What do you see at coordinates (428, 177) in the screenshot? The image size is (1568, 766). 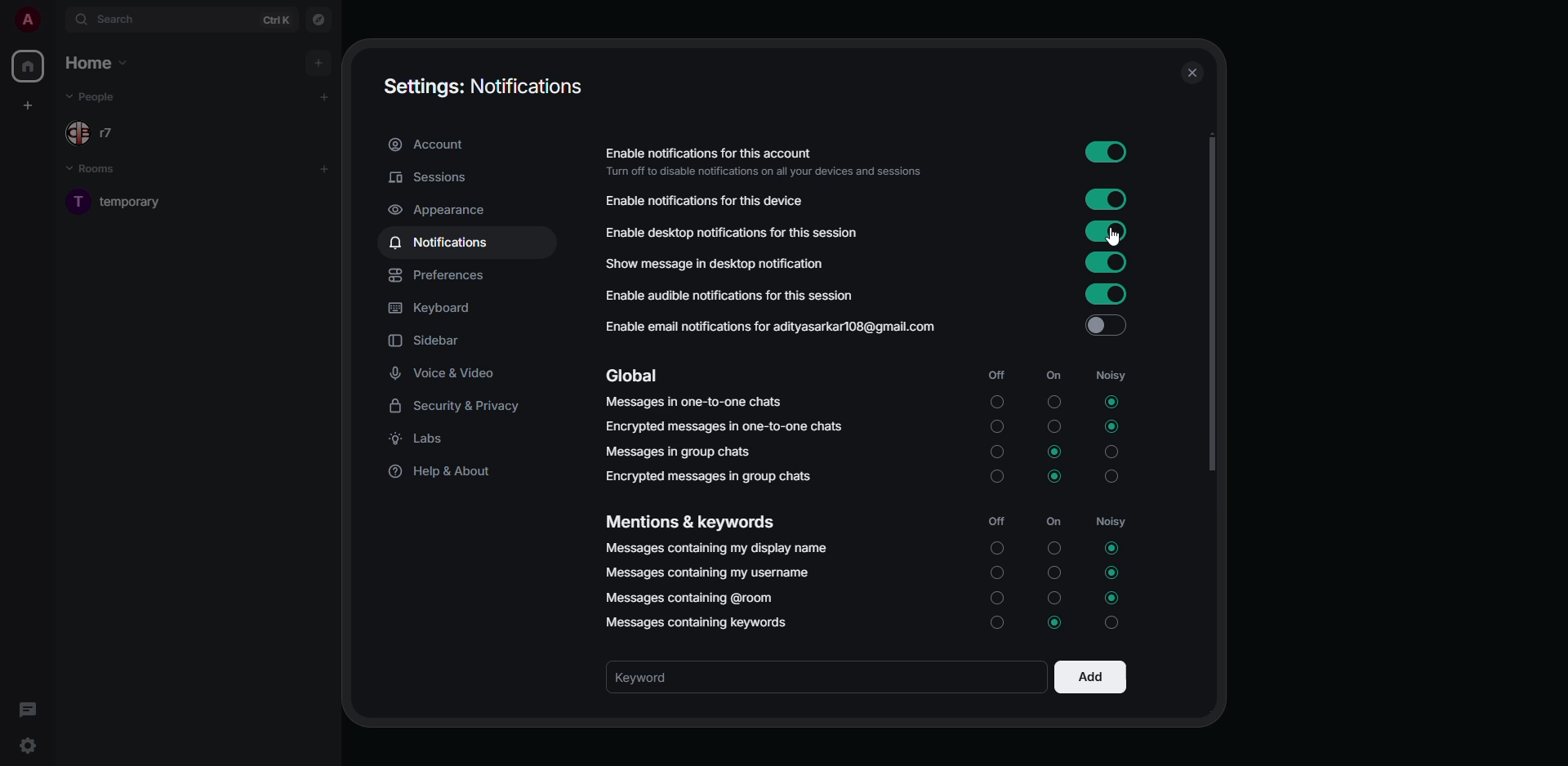 I see `sessions` at bounding box center [428, 177].